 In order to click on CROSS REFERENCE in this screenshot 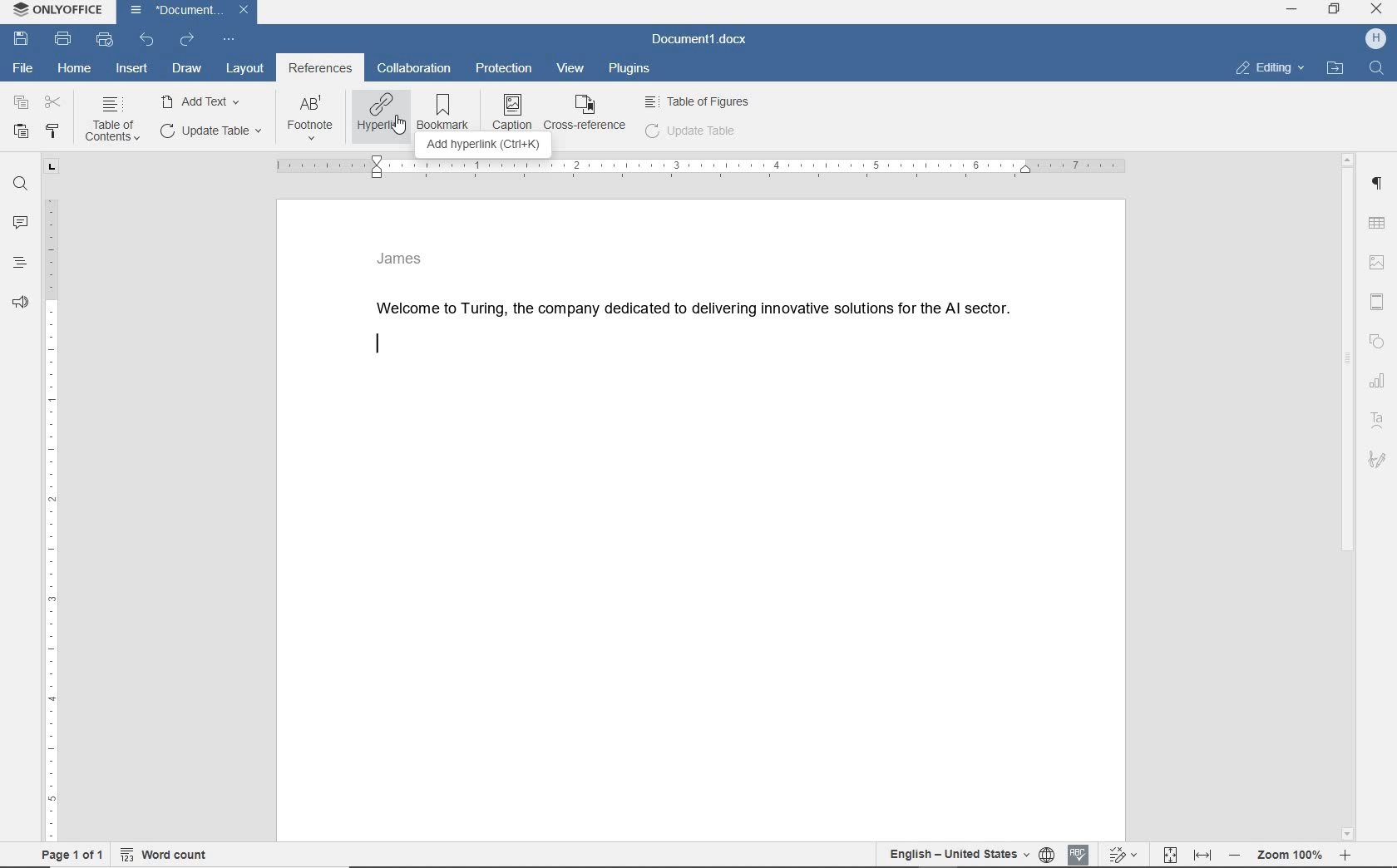, I will do `click(585, 112)`.